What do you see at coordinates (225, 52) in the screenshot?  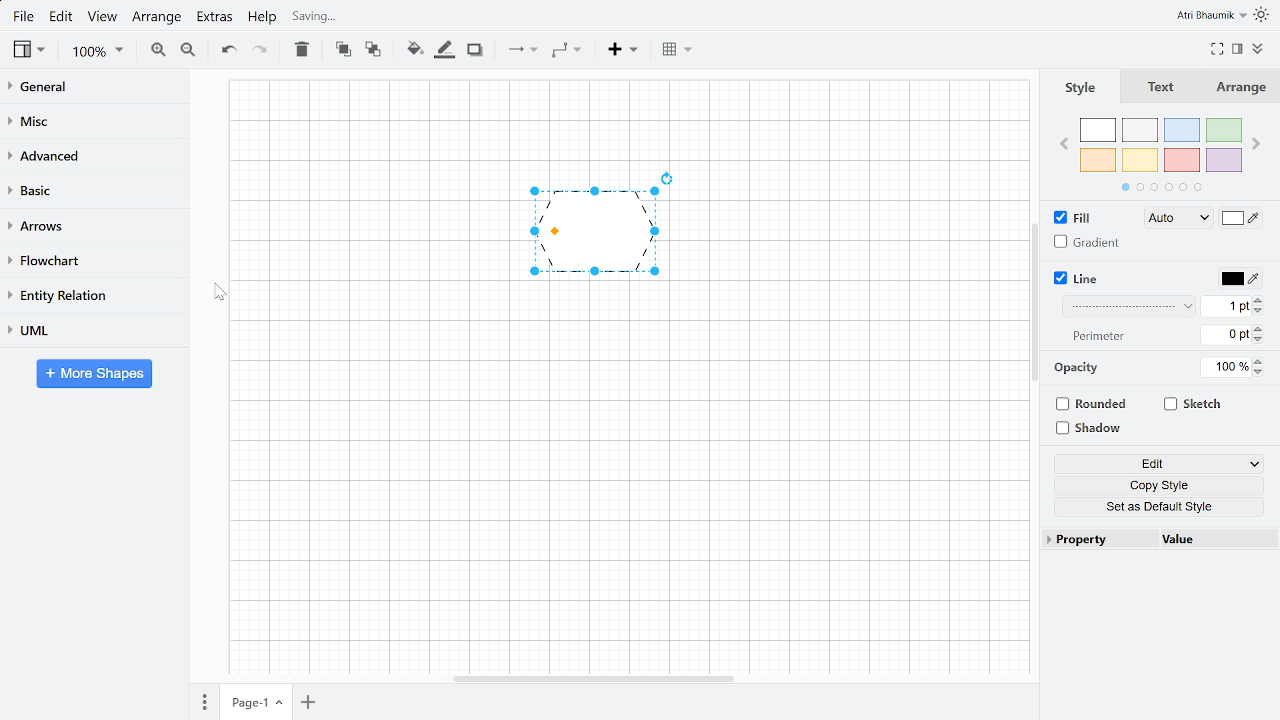 I see `Undo` at bounding box center [225, 52].